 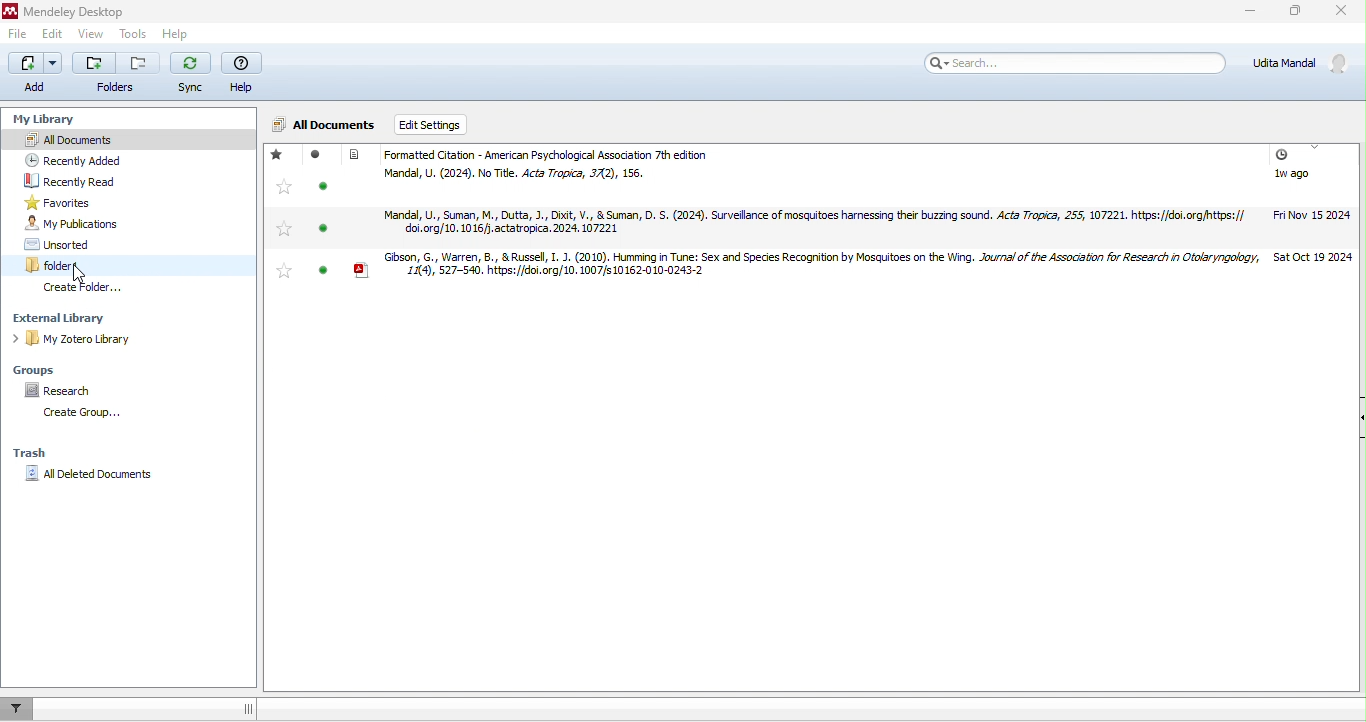 What do you see at coordinates (1250, 10) in the screenshot?
I see `minimize` at bounding box center [1250, 10].